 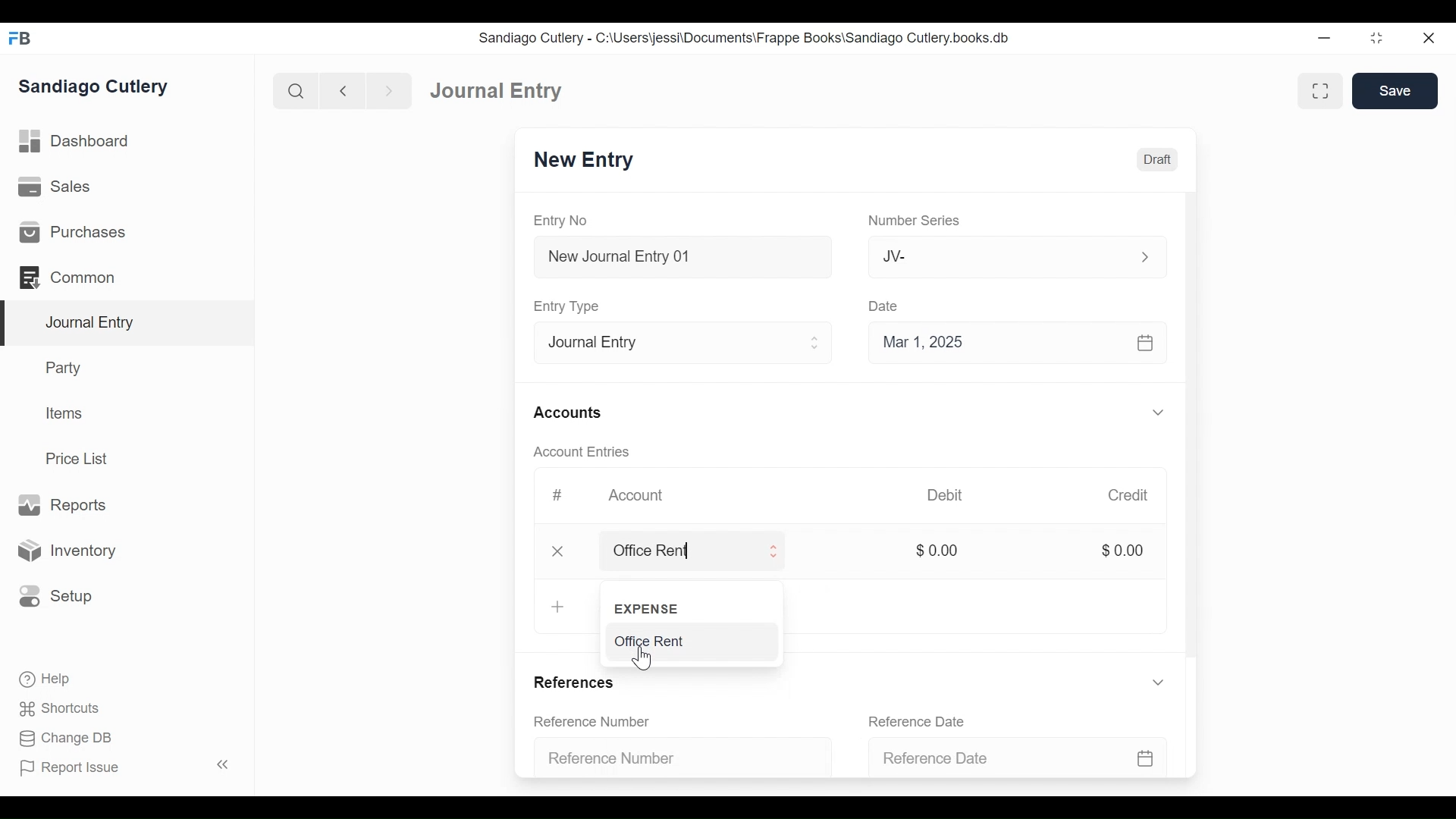 What do you see at coordinates (1007, 257) in the screenshot?
I see `Jv-` at bounding box center [1007, 257].